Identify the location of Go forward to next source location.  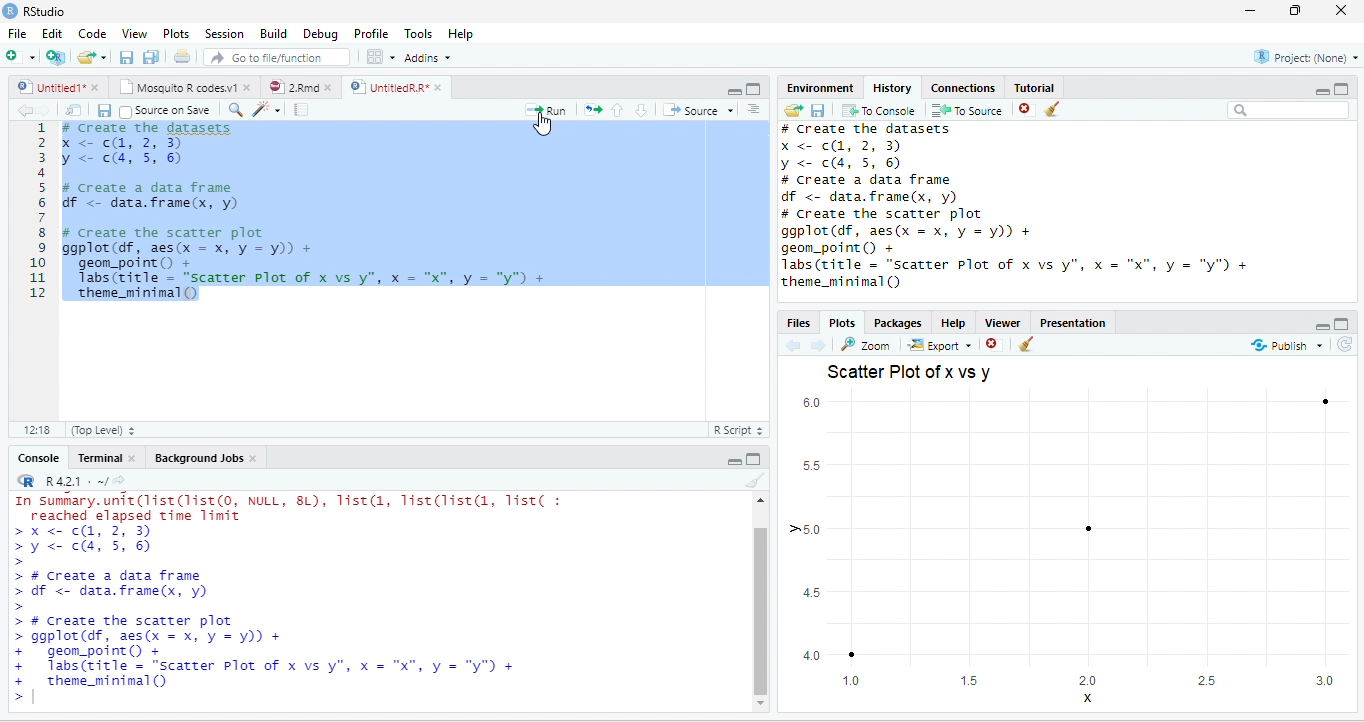
(44, 111).